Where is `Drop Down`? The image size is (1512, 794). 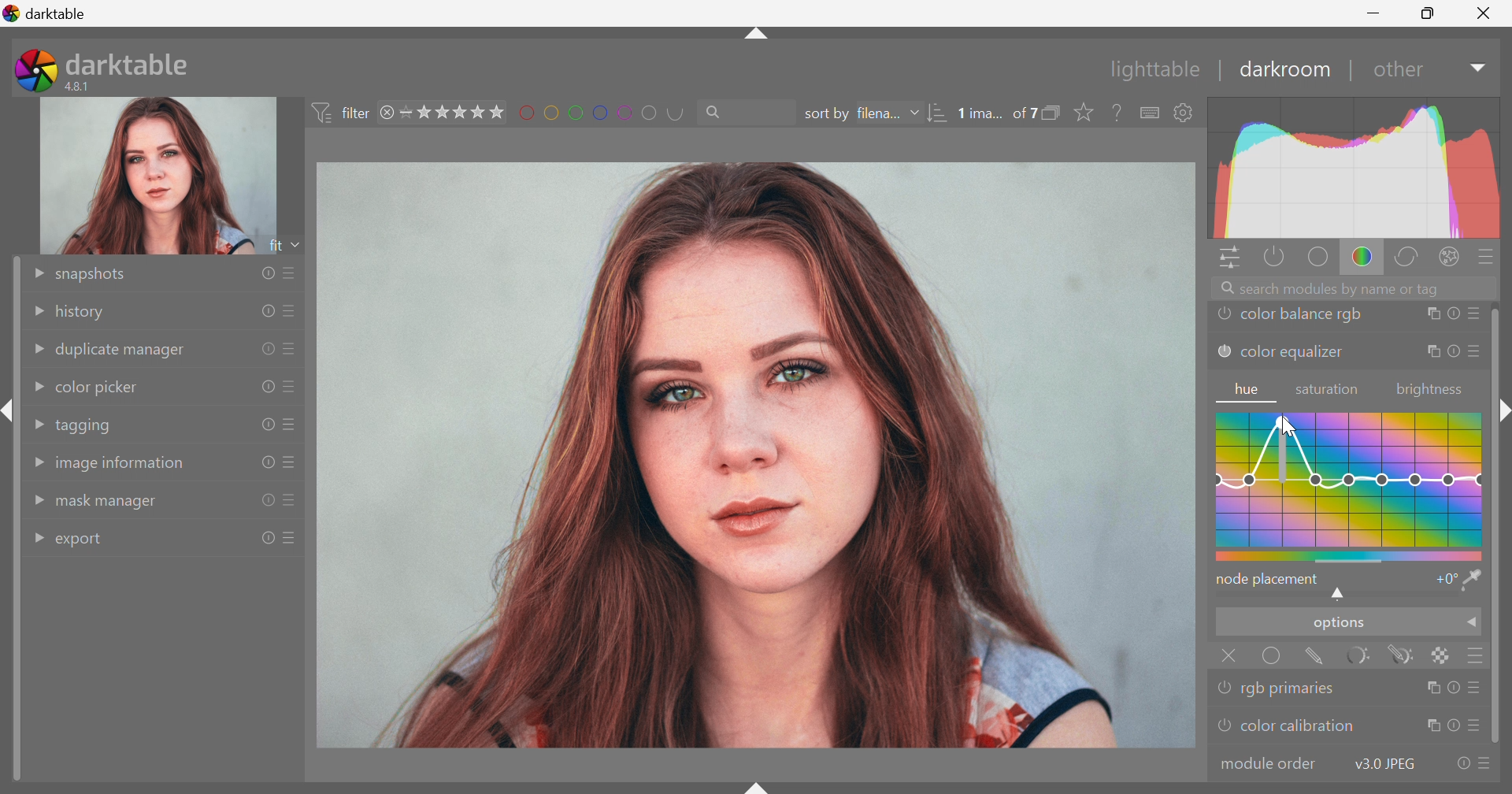 Drop Down is located at coordinates (35, 424).